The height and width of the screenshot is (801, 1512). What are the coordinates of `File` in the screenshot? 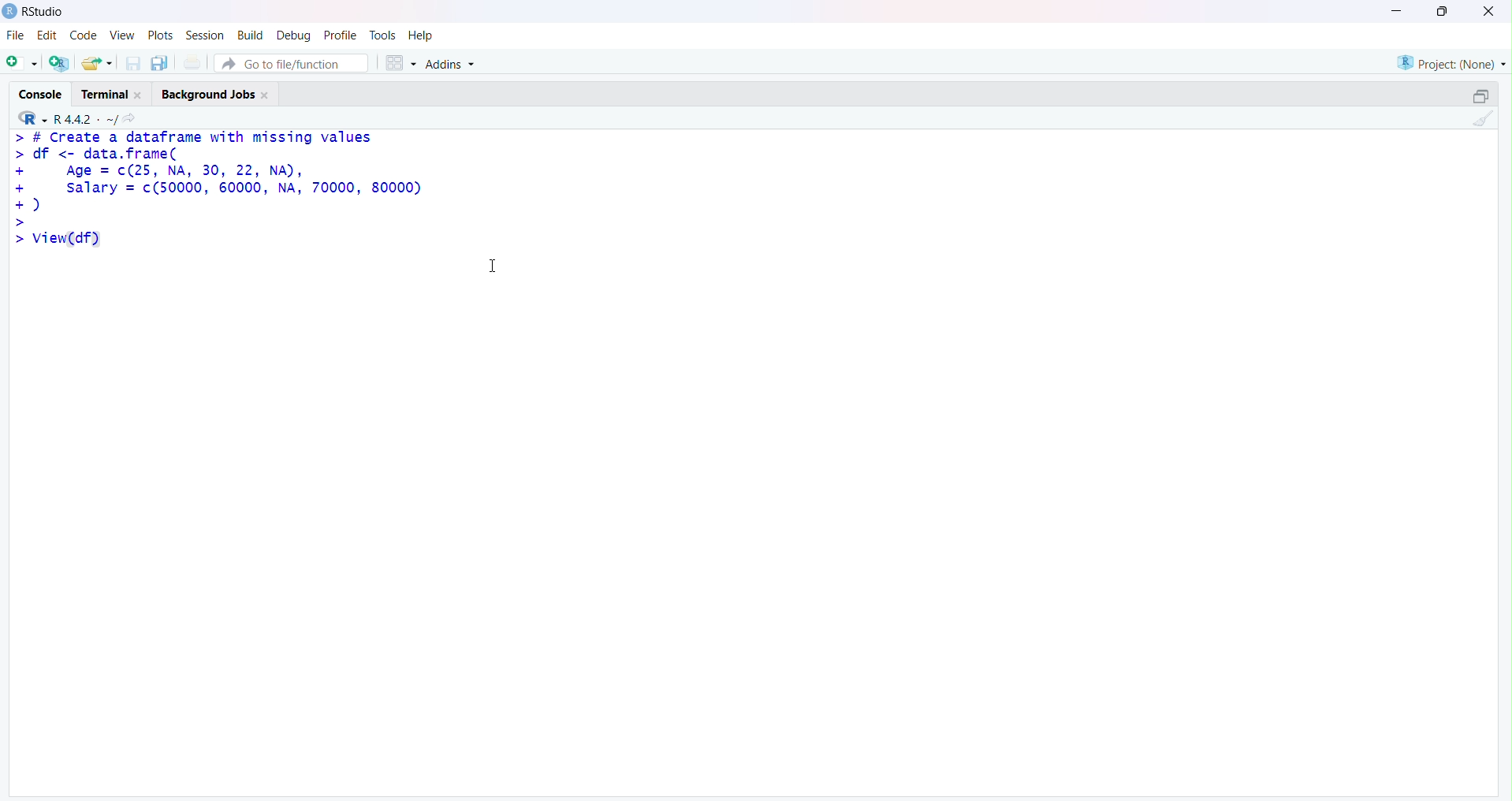 It's located at (14, 35).